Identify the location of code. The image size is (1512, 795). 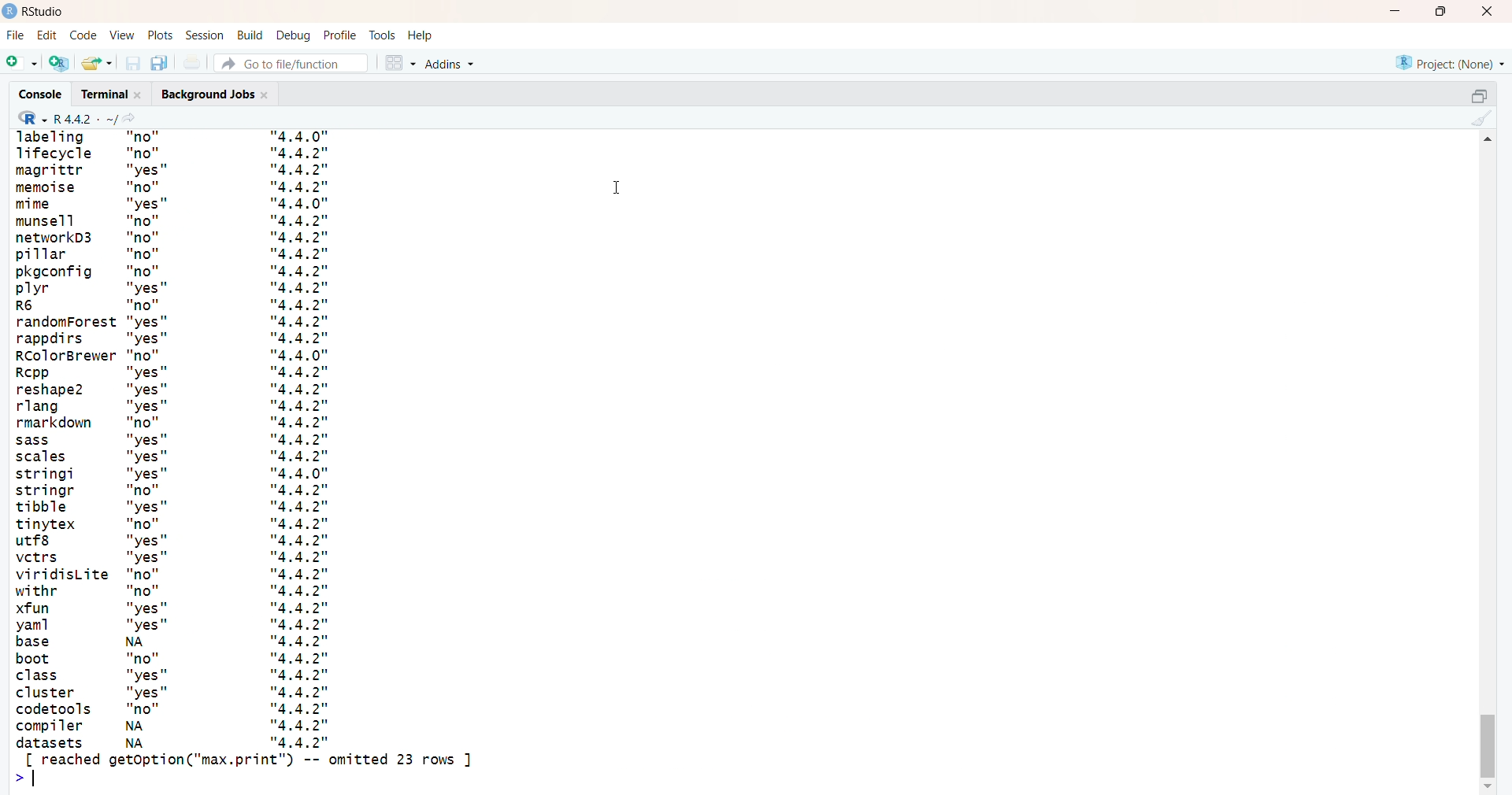
(83, 35).